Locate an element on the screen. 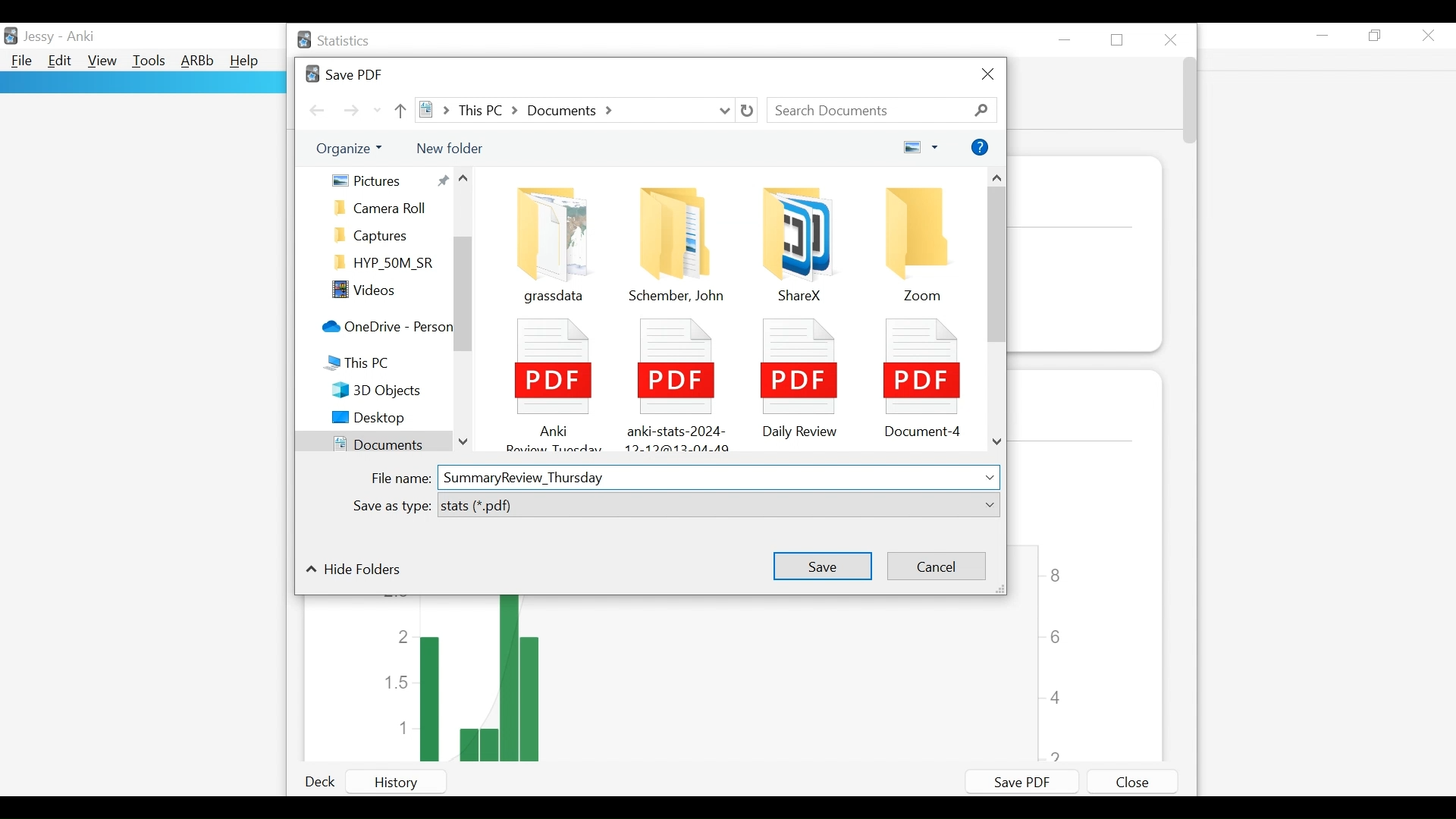 The height and width of the screenshot is (819, 1456). Scroll down is located at coordinates (997, 444).